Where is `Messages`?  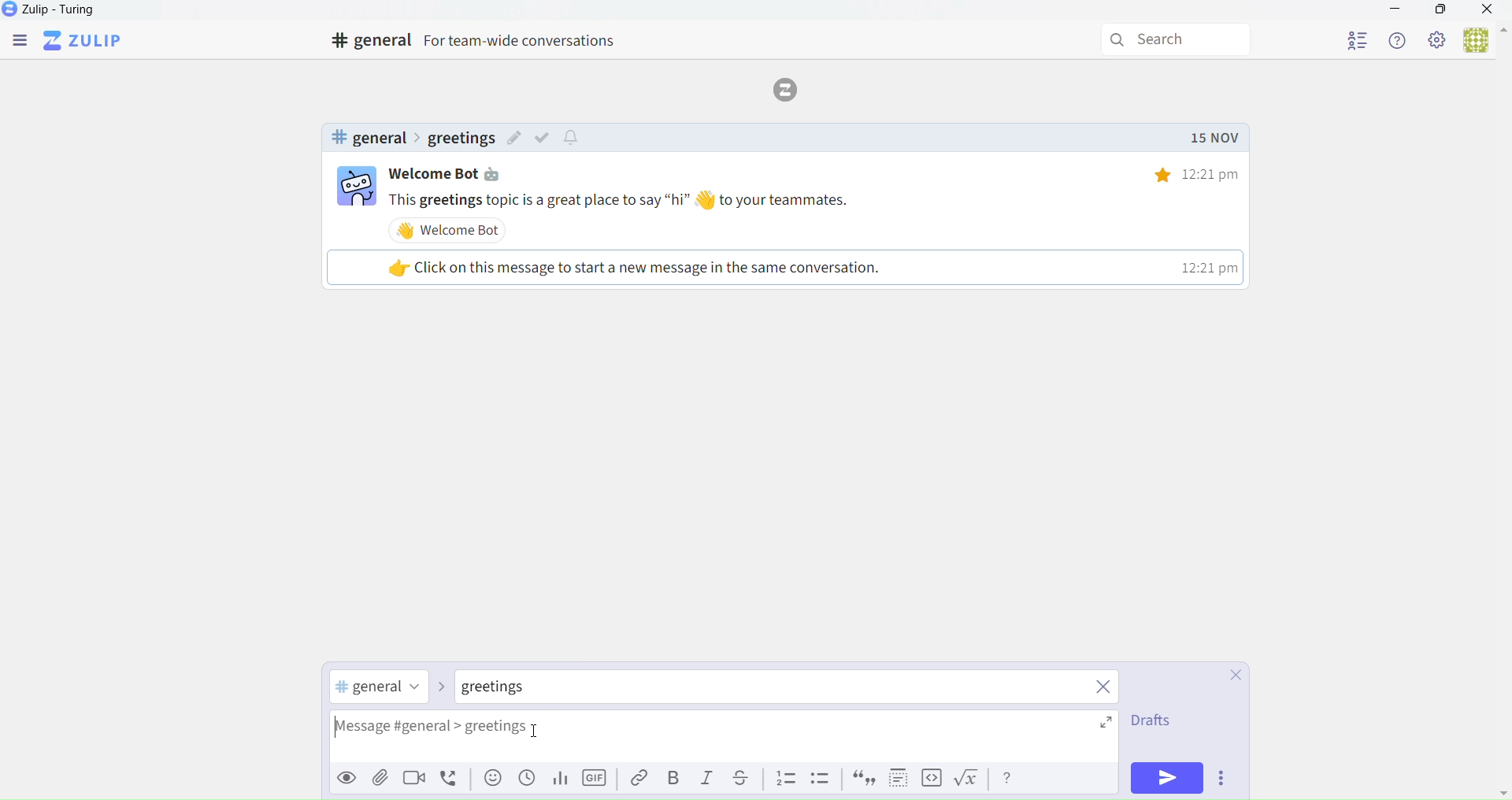 Messages is located at coordinates (818, 200).